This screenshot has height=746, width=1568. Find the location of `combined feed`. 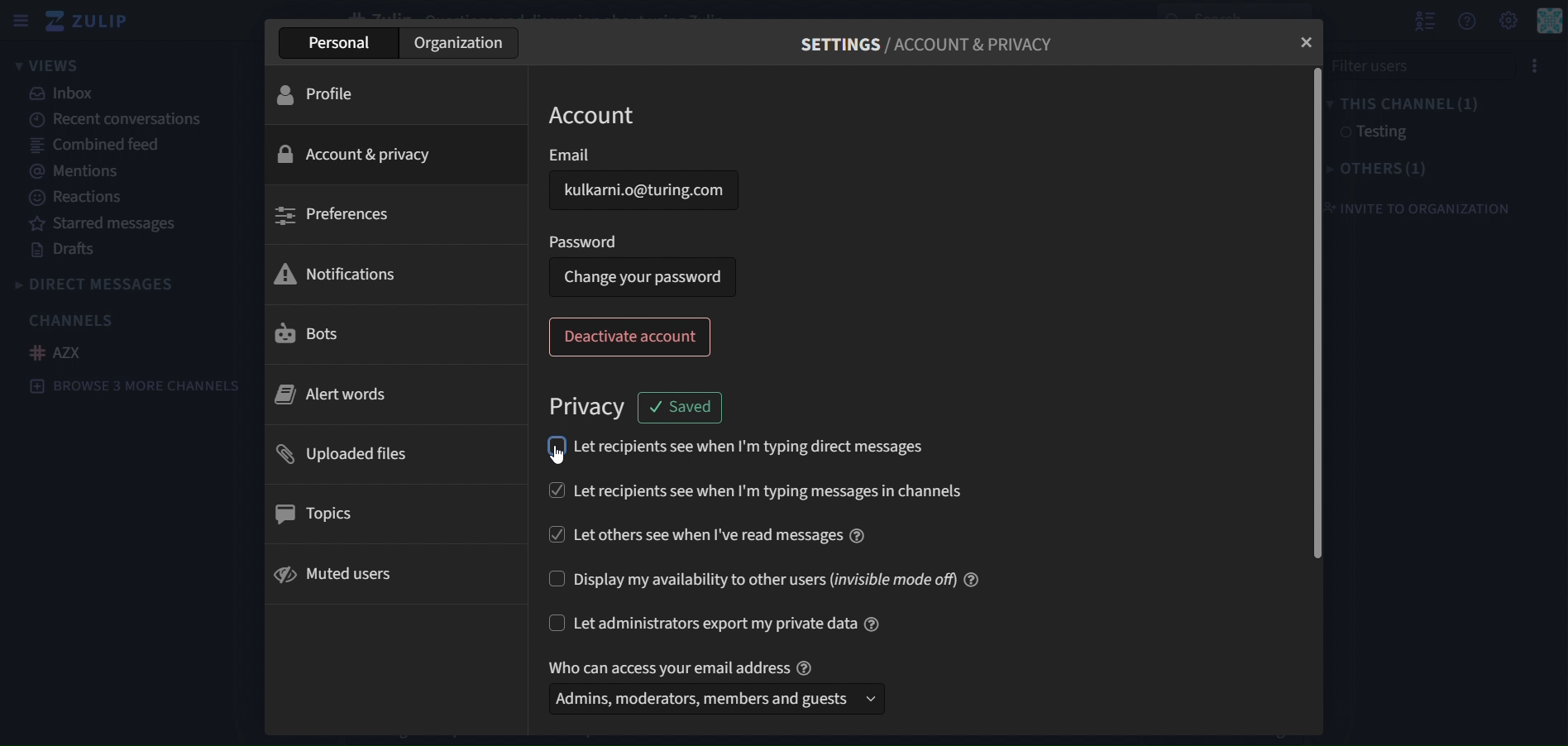

combined feed is located at coordinates (97, 146).